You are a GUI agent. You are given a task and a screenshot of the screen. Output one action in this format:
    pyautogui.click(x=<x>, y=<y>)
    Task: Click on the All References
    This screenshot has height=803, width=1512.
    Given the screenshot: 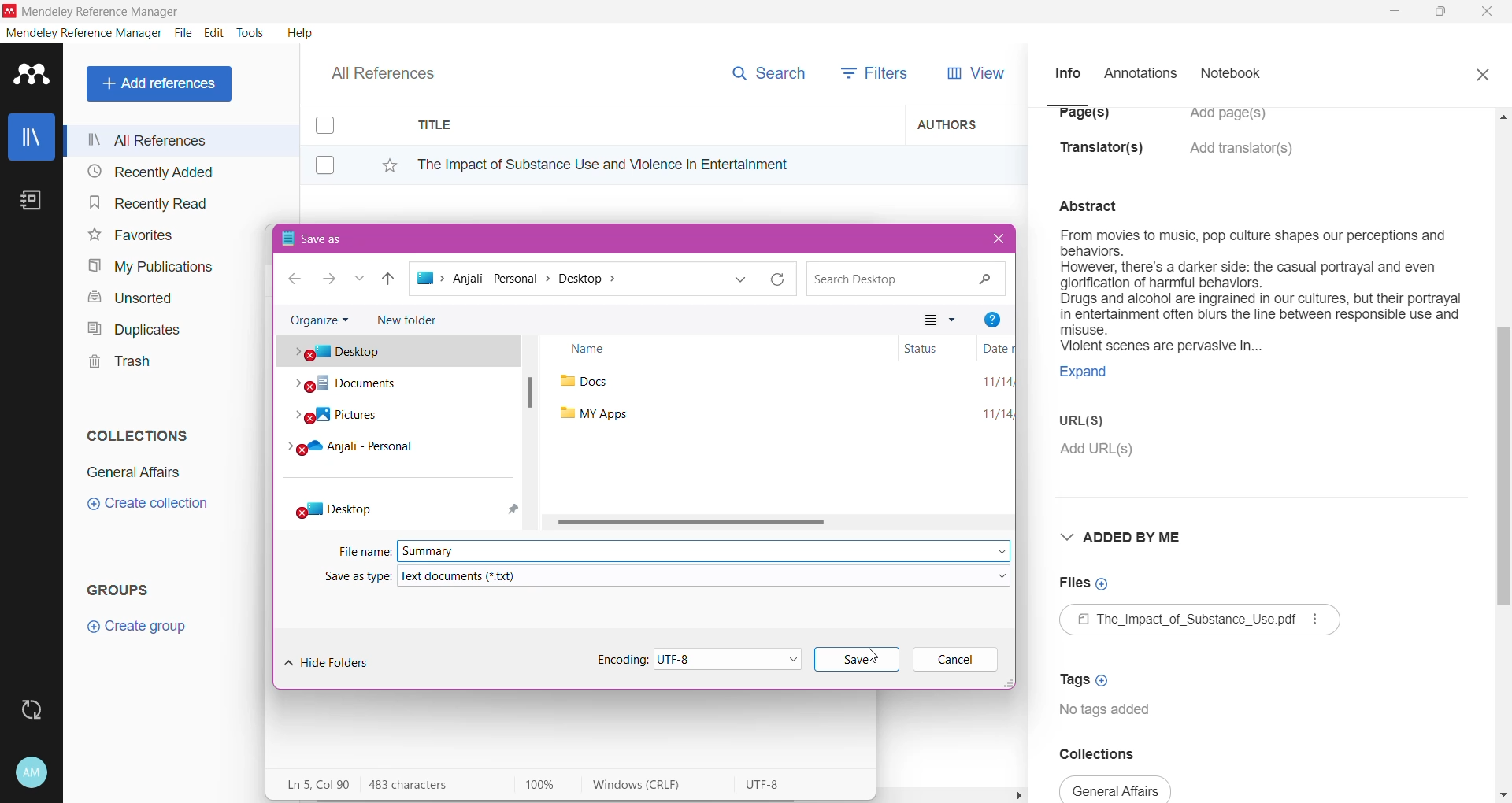 What is the action you would take?
    pyautogui.click(x=394, y=69)
    